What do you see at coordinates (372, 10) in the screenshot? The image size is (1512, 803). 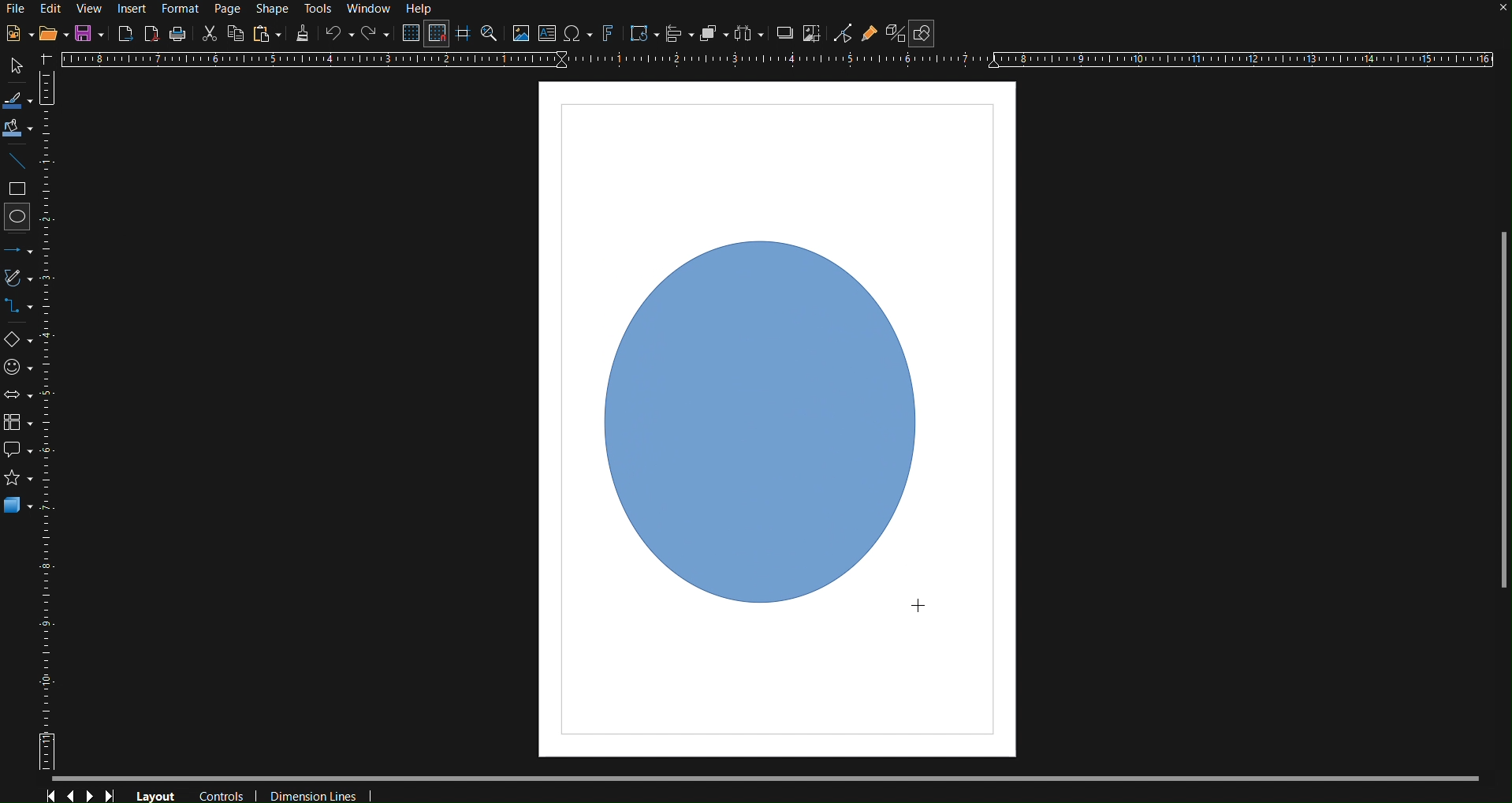 I see `Window` at bounding box center [372, 10].